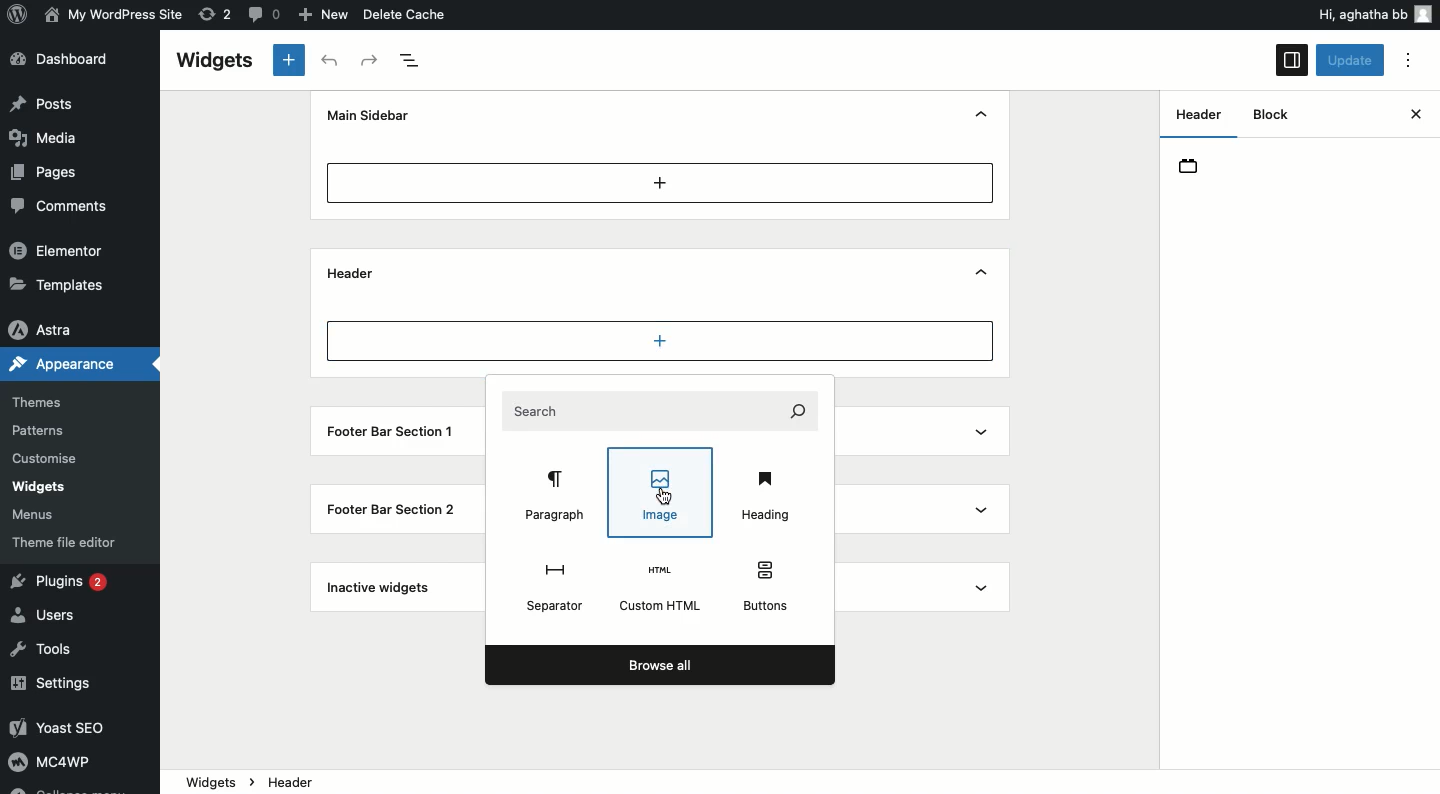 Image resolution: width=1440 pixels, height=794 pixels. Describe the element at coordinates (261, 13) in the screenshot. I see `Comment` at that location.